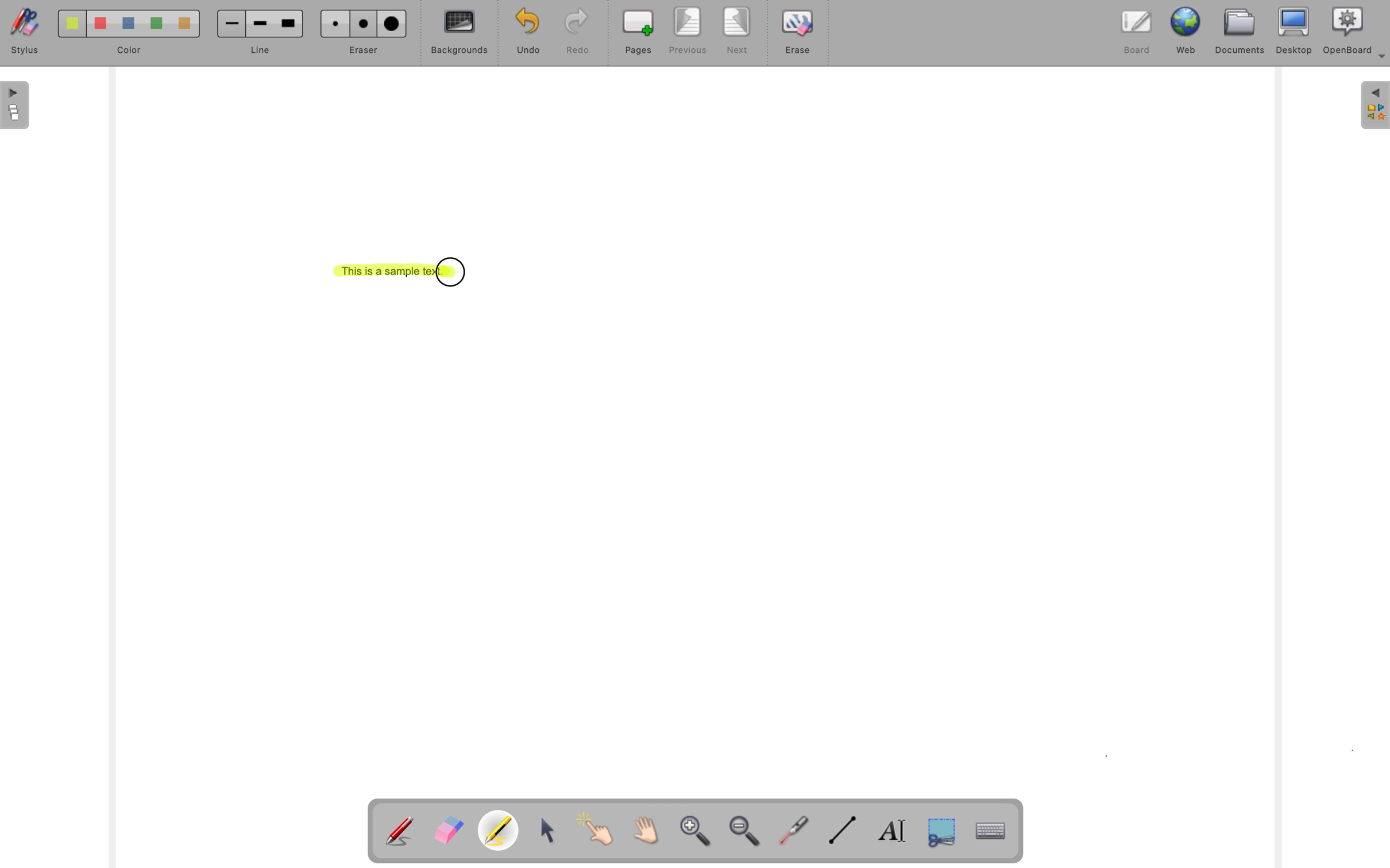 The height and width of the screenshot is (868, 1390). Describe the element at coordinates (334, 24) in the screenshot. I see `Small eraser` at that location.